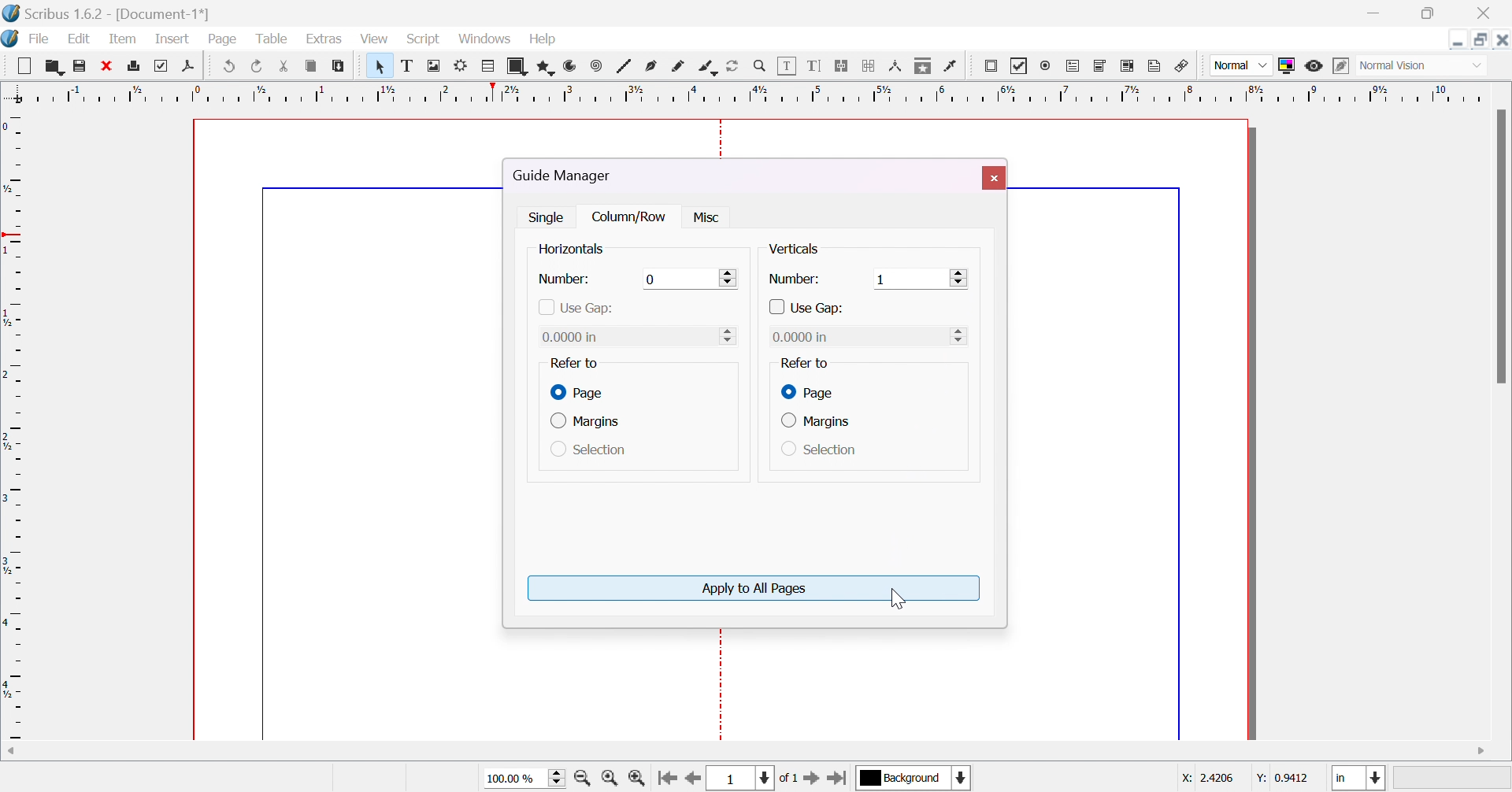  Describe the element at coordinates (898, 67) in the screenshot. I see `measurements` at that location.